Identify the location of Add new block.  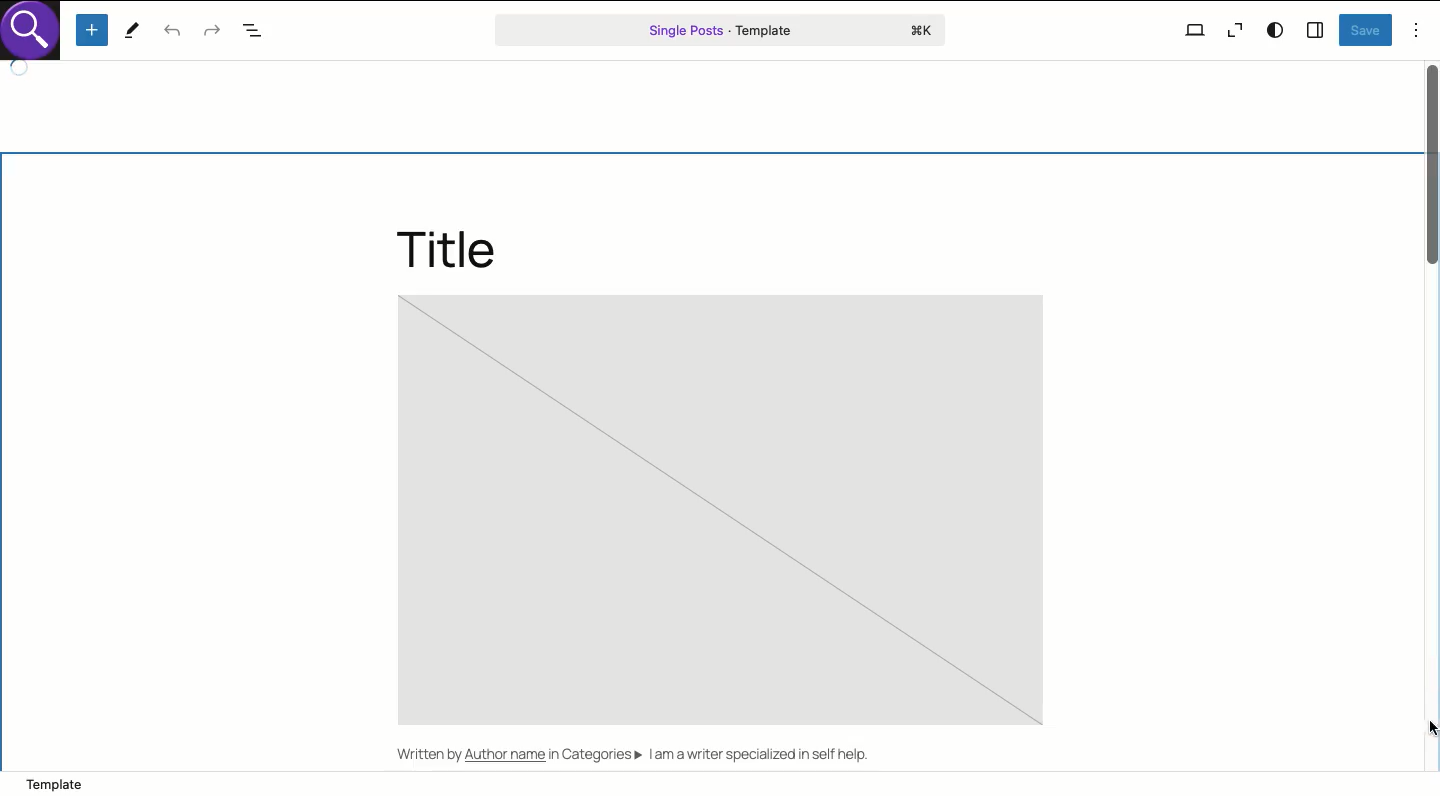
(94, 30).